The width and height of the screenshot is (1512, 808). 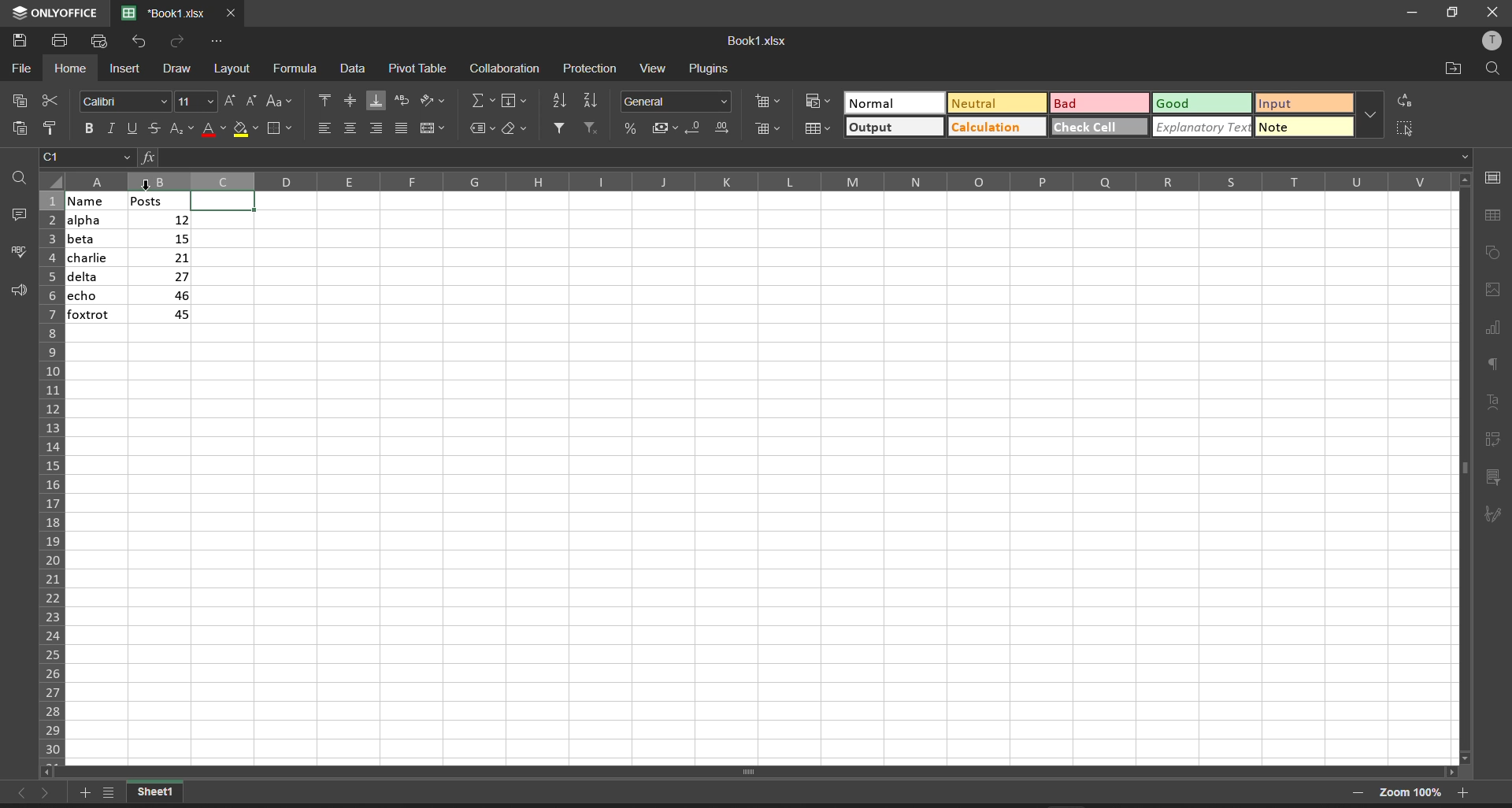 I want to click on increment font size, so click(x=230, y=95).